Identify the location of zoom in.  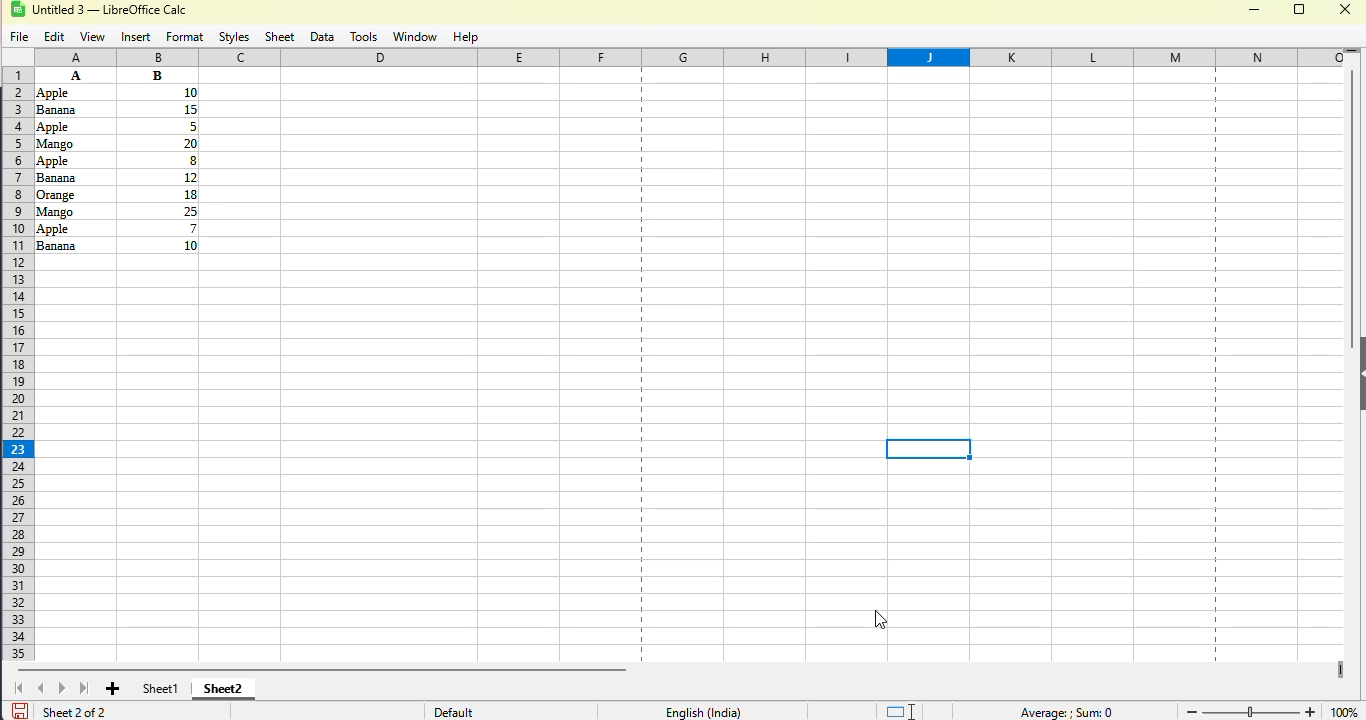
(1311, 710).